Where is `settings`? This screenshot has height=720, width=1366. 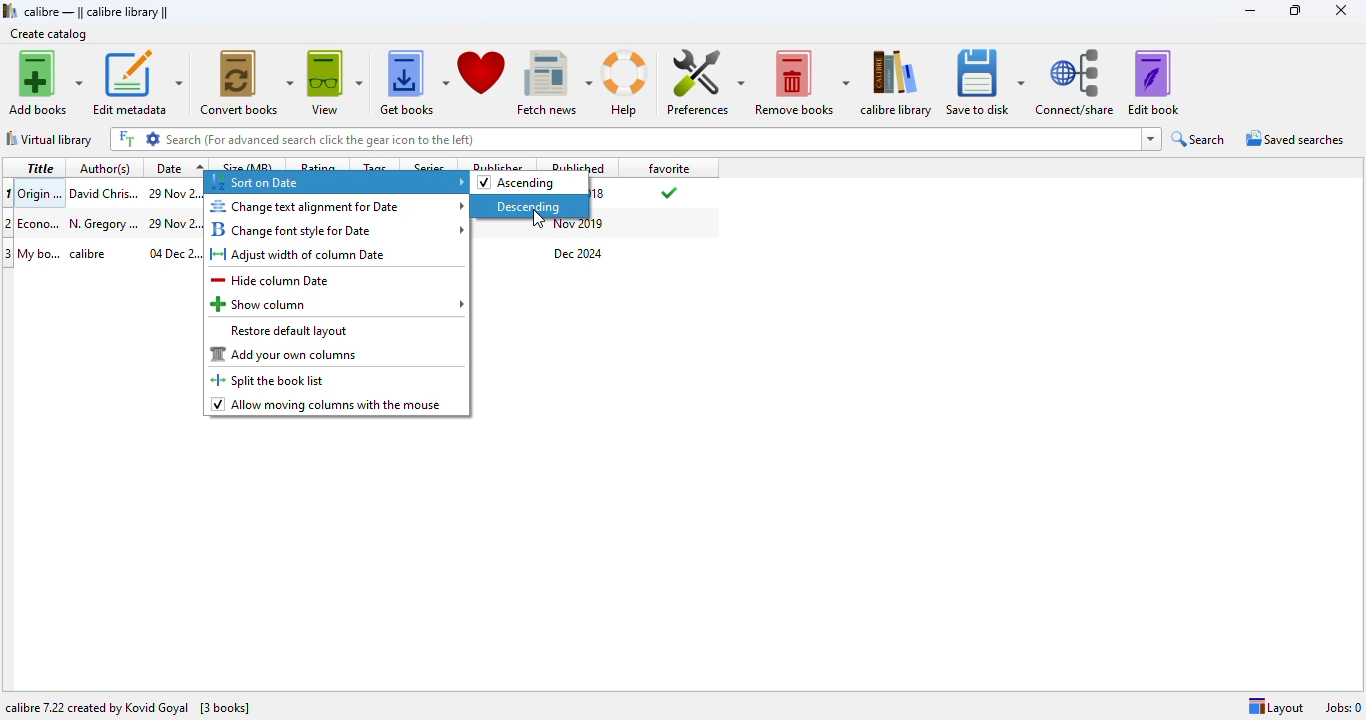
settings is located at coordinates (154, 138).